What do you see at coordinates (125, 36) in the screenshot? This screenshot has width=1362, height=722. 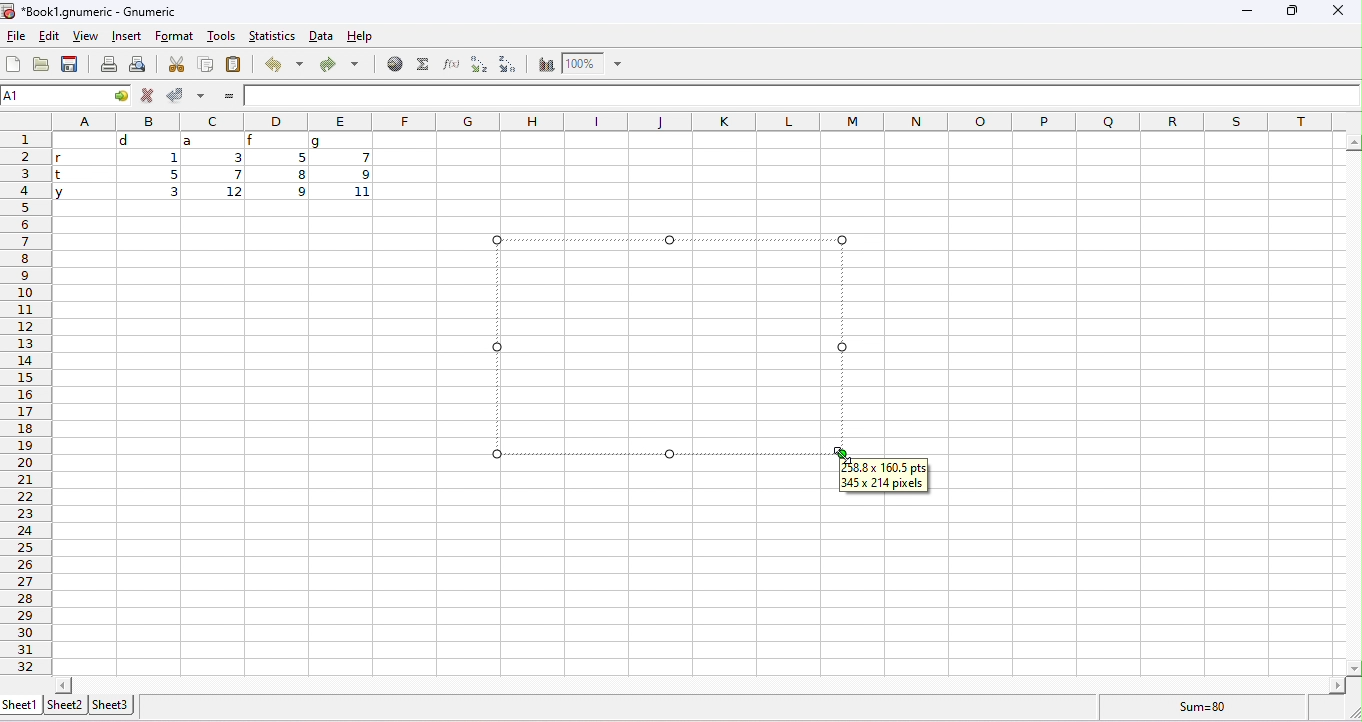 I see `insert` at bounding box center [125, 36].